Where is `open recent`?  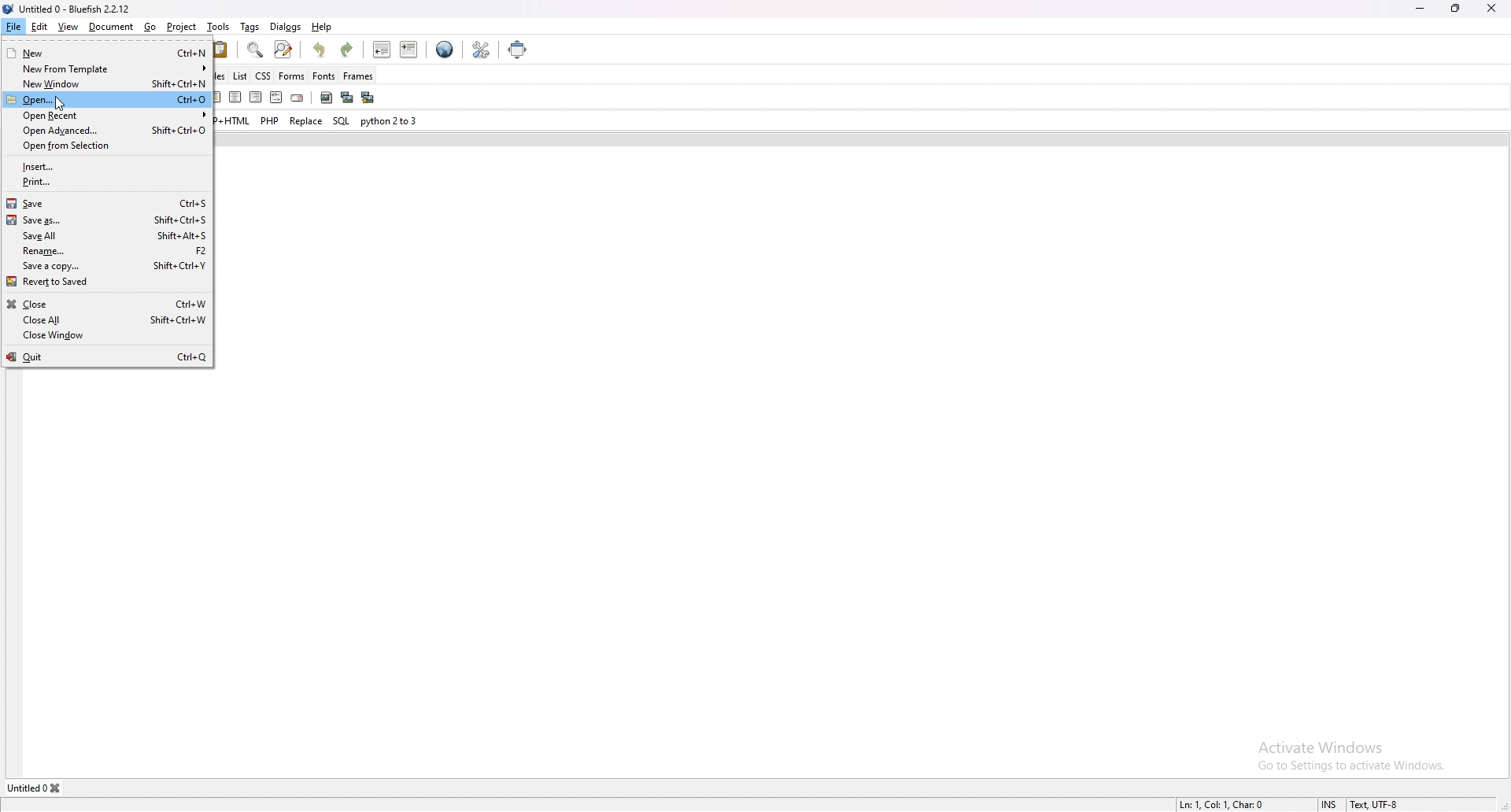 open recent is located at coordinates (108, 115).